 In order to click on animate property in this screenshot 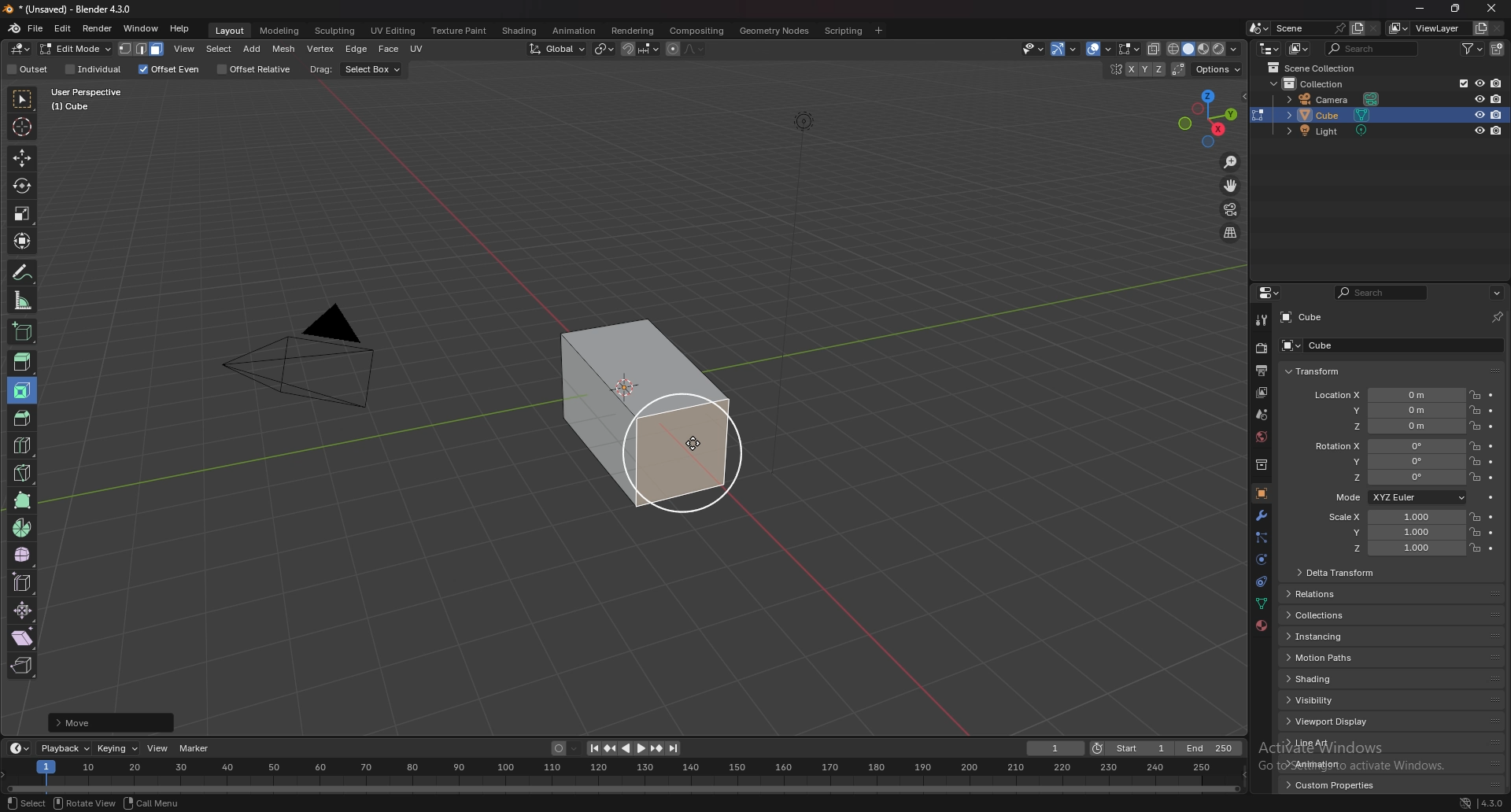, I will do `click(1491, 396)`.